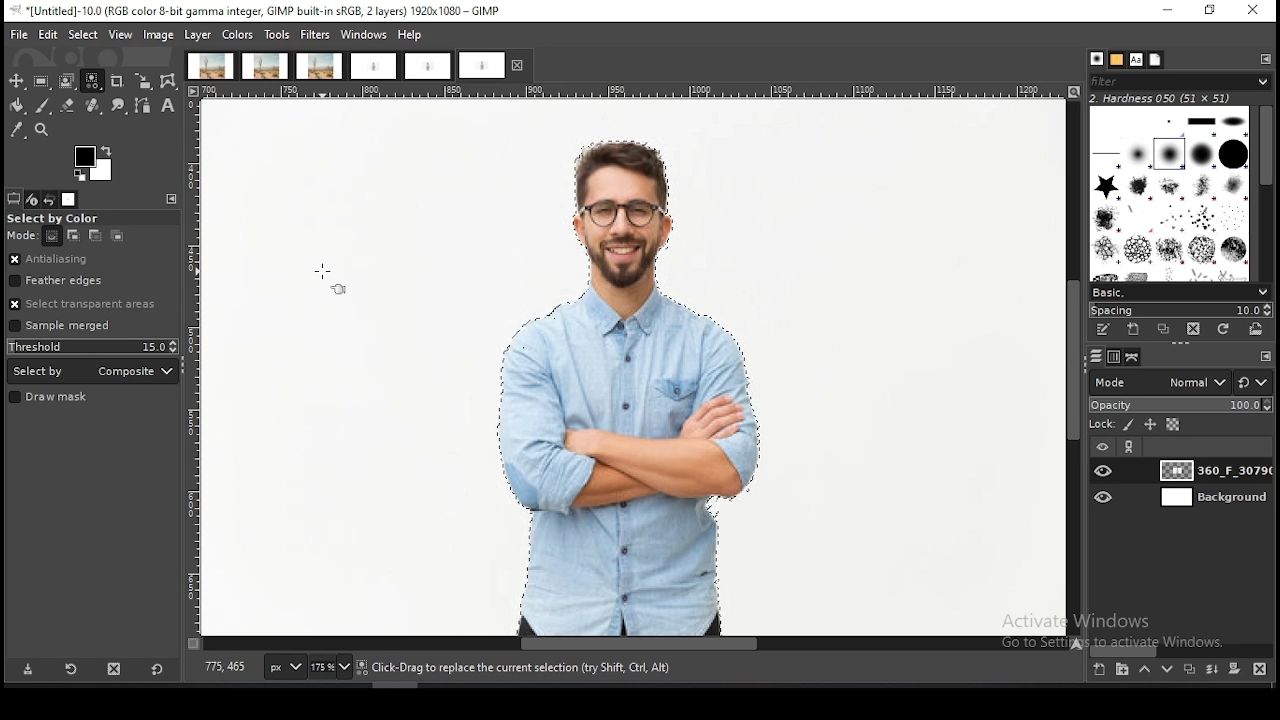 This screenshot has width=1280, height=720. What do you see at coordinates (1180, 82) in the screenshot?
I see `filter brushes` at bounding box center [1180, 82].